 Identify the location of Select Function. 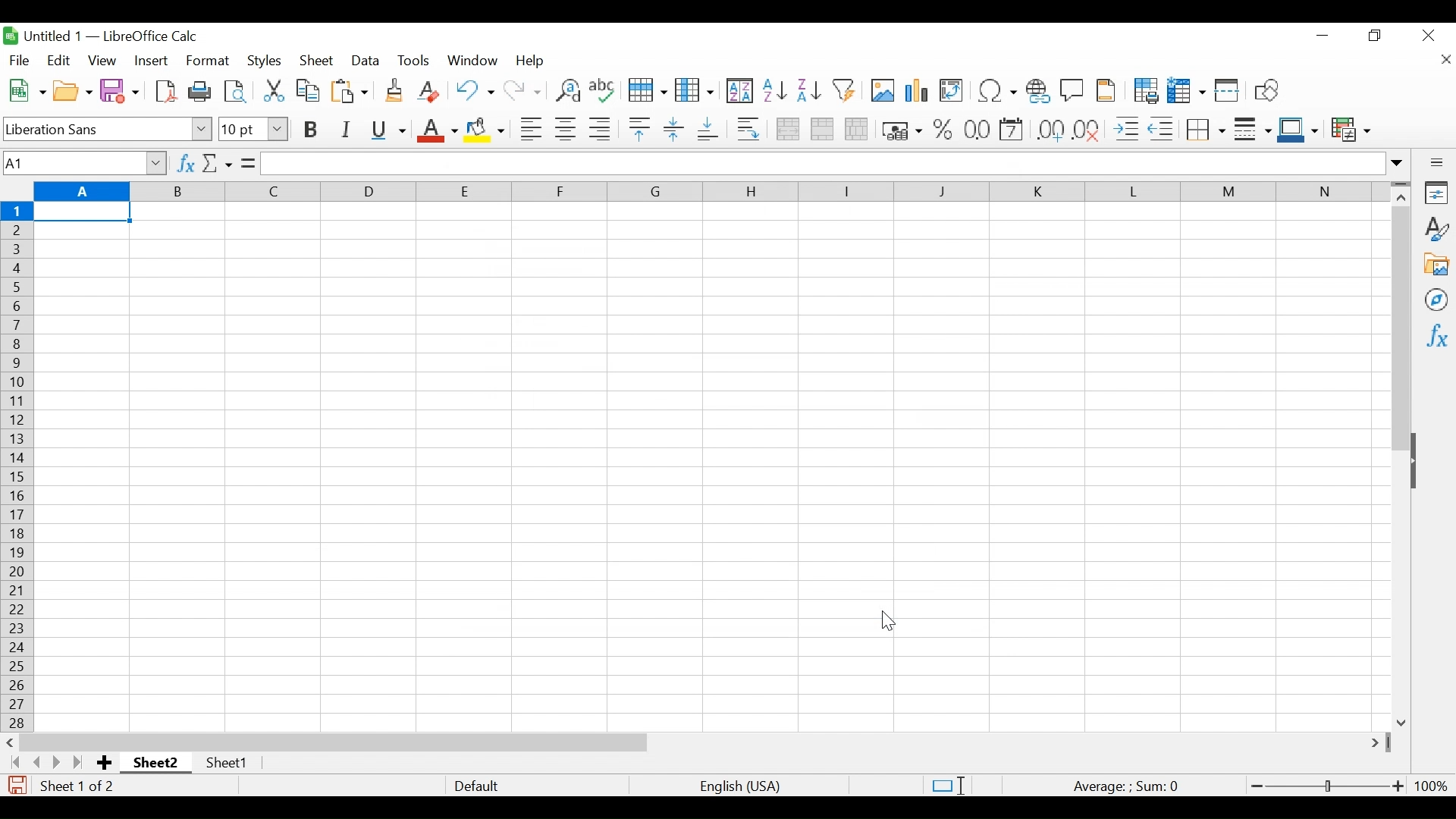
(217, 163).